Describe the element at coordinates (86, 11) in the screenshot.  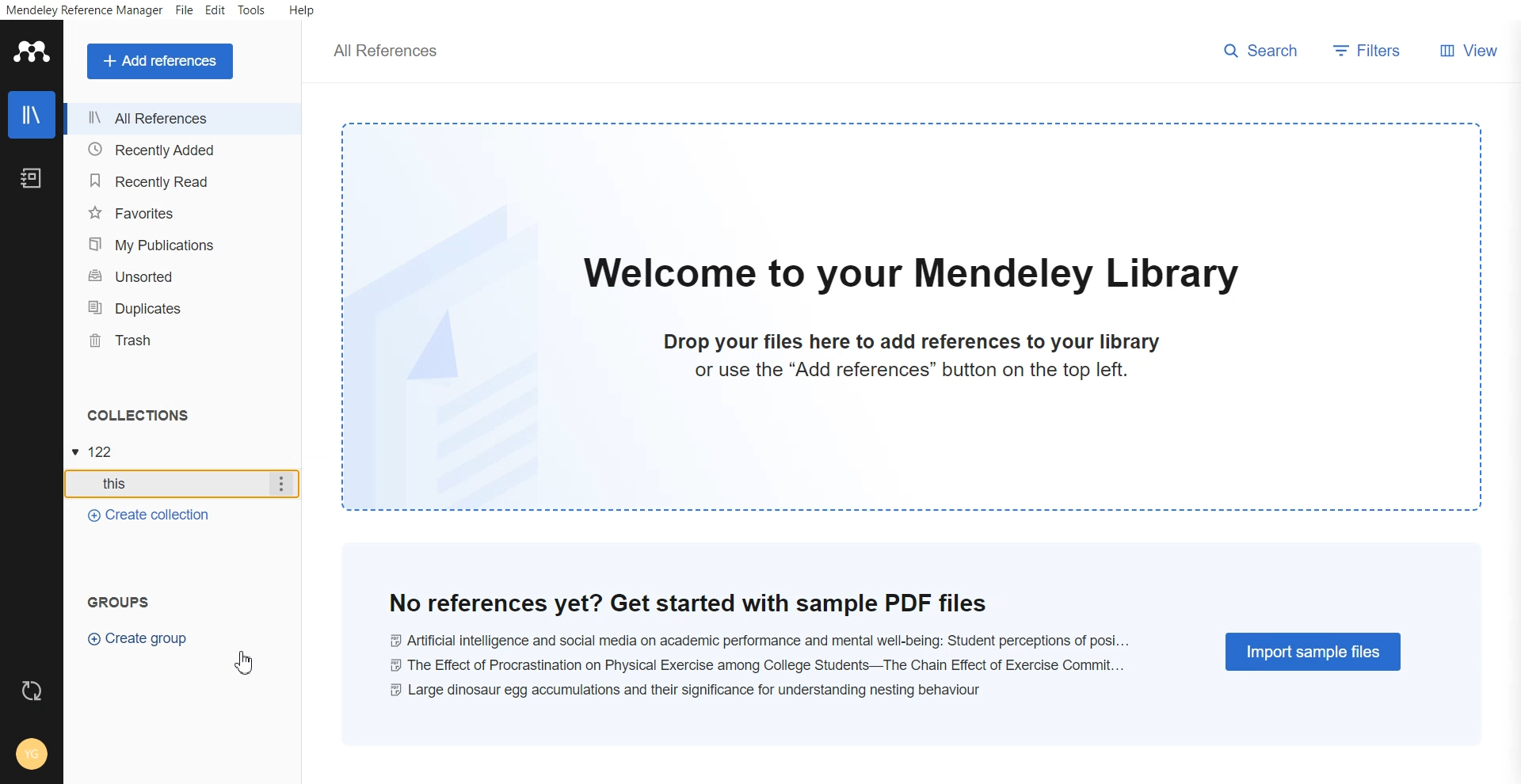
I see `Mendeley reference manager` at that location.